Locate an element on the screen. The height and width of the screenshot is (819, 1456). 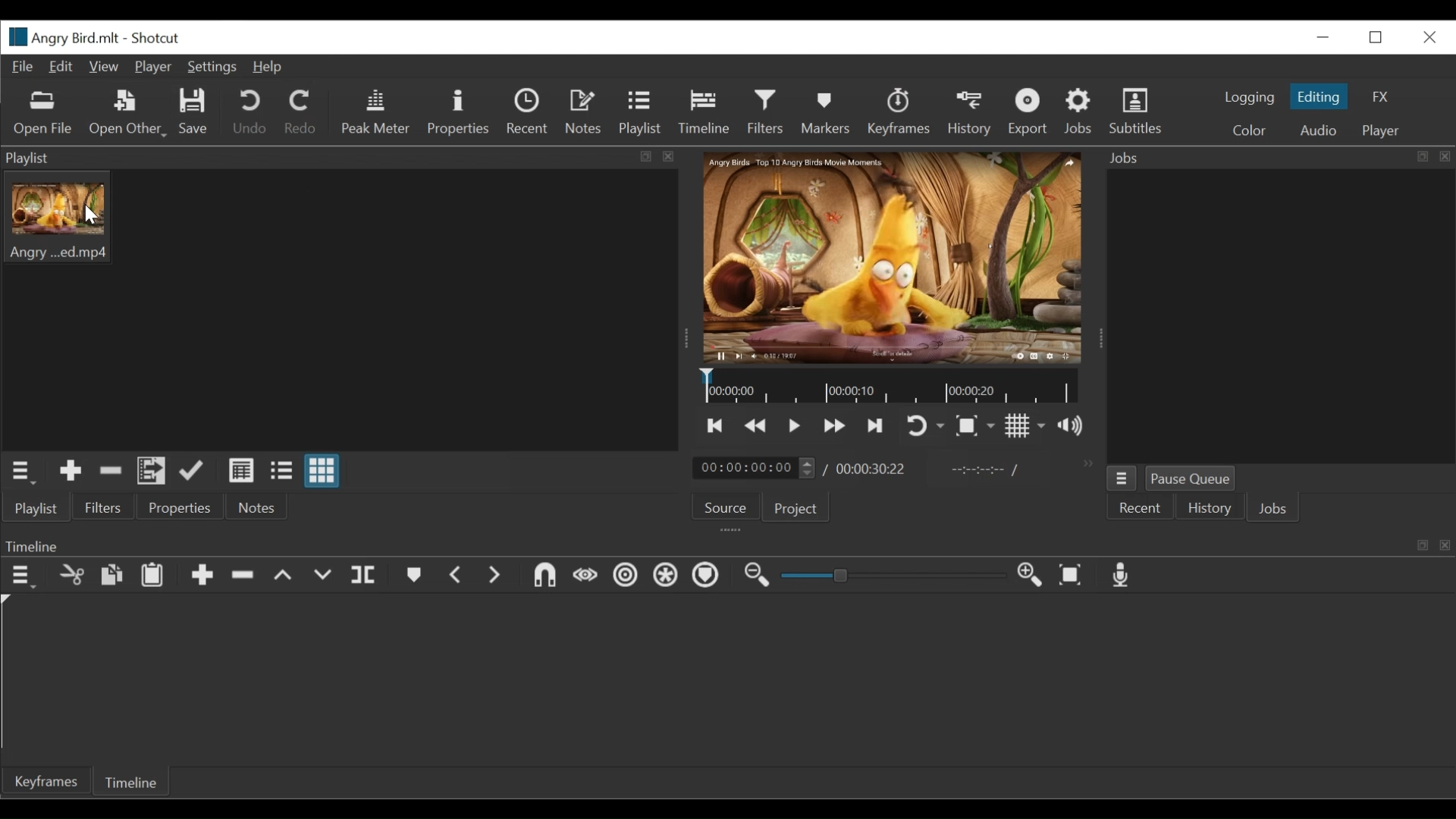
Clip thumbnail is located at coordinates (340, 309).